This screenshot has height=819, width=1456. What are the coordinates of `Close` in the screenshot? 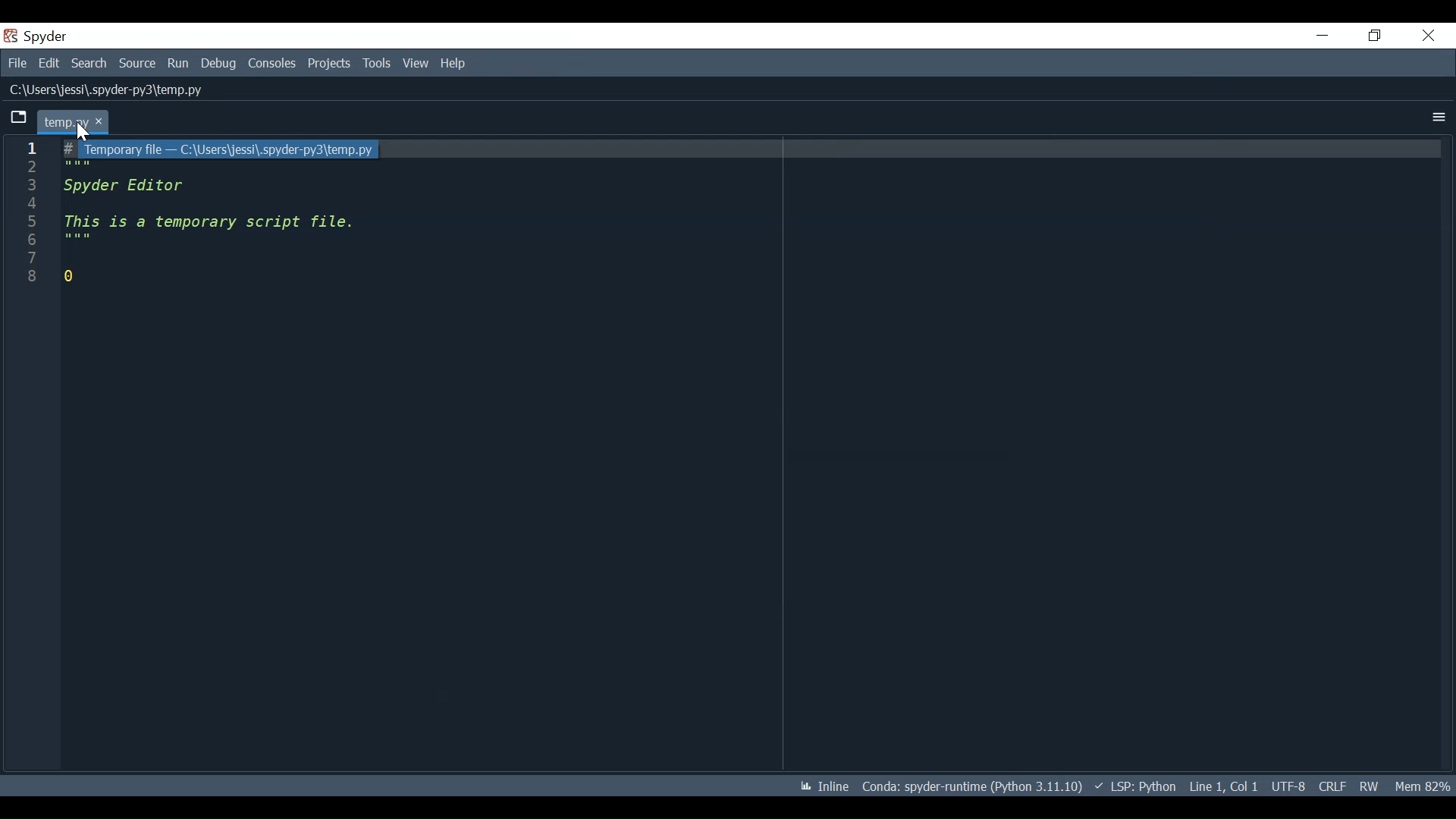 It's located at (1430, 35).